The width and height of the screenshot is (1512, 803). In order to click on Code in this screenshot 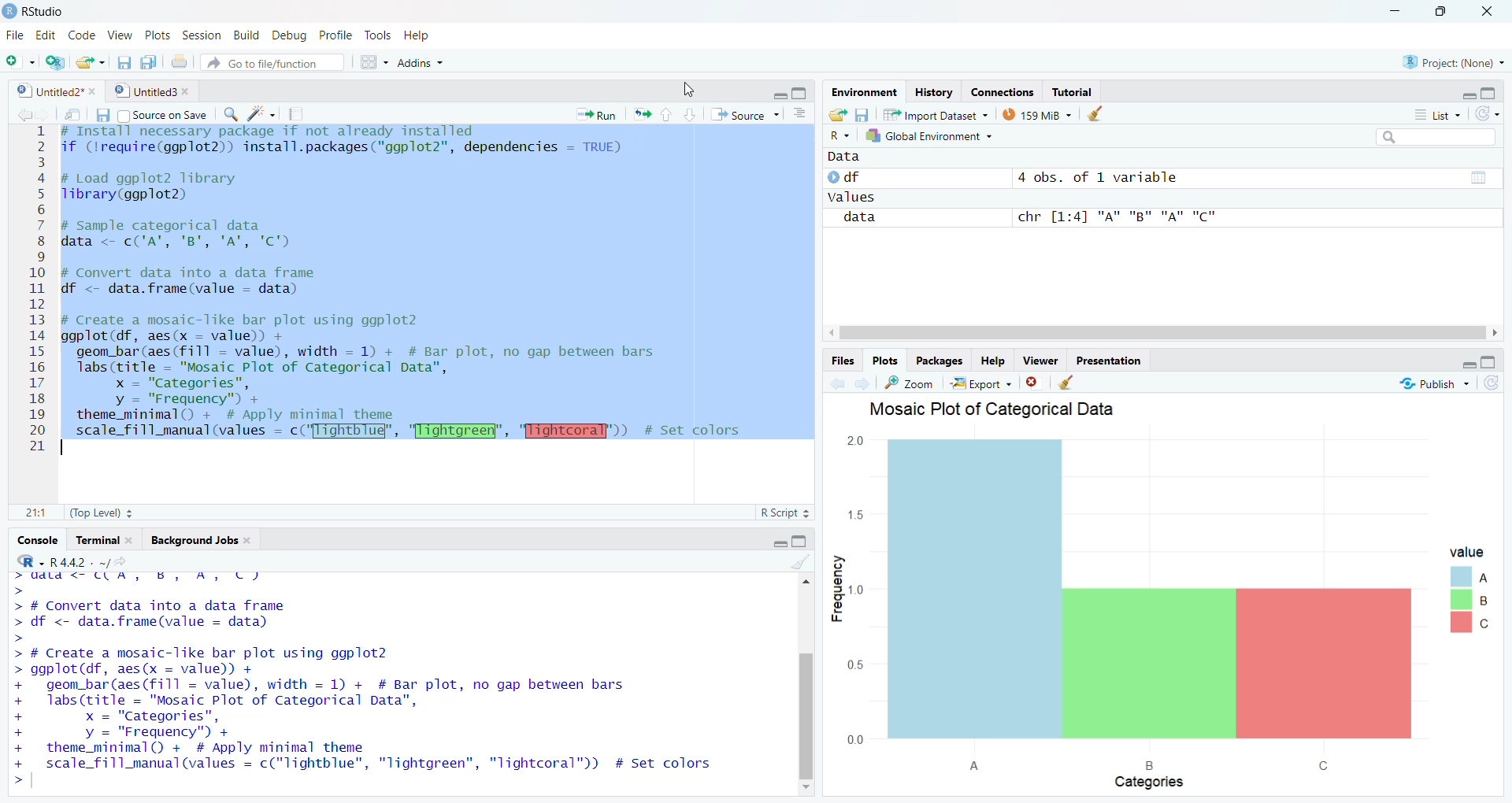, I will do `click(80, 35)`.